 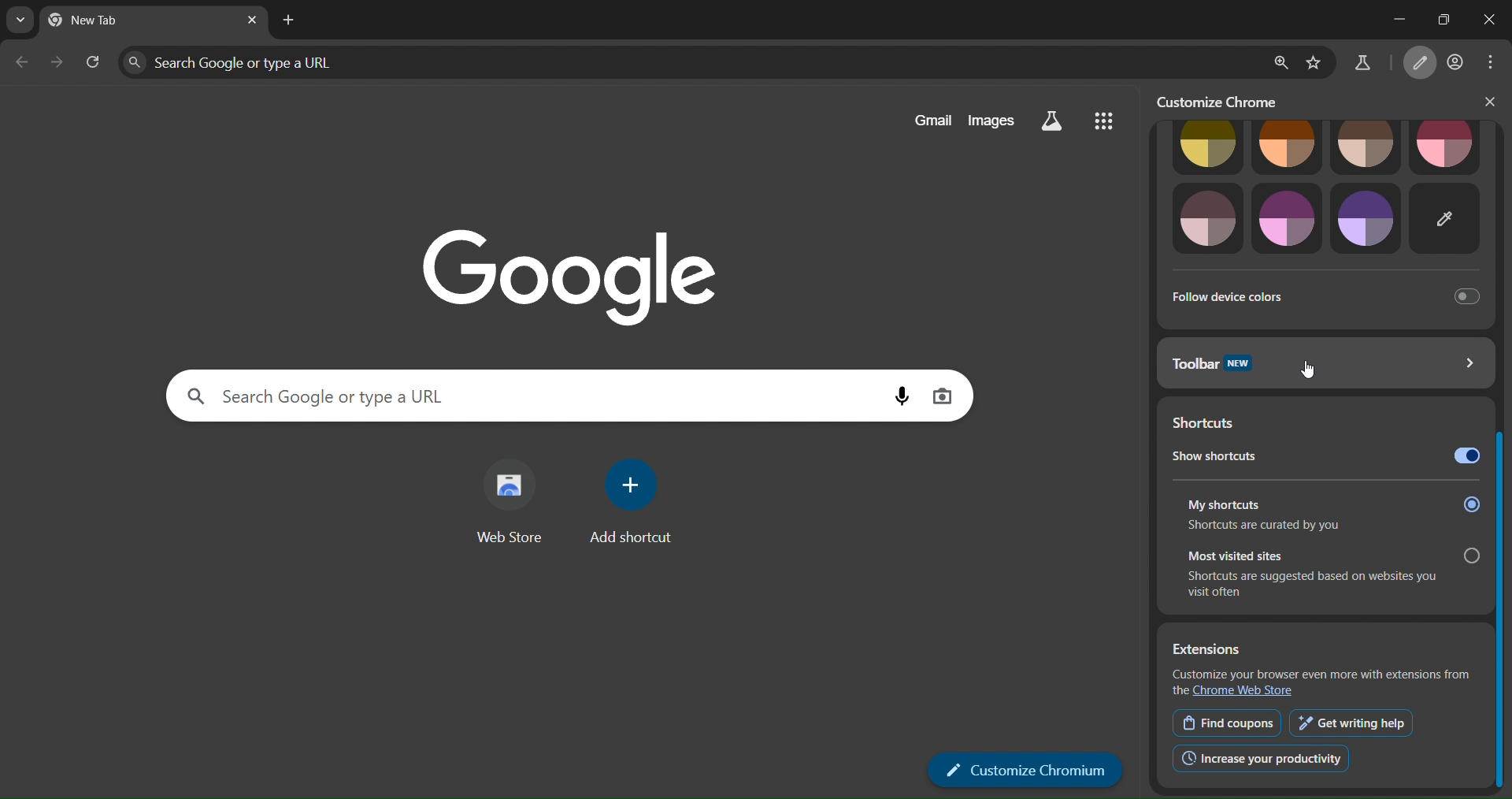 I want to click on cursor, so click(x=1308, y=369).